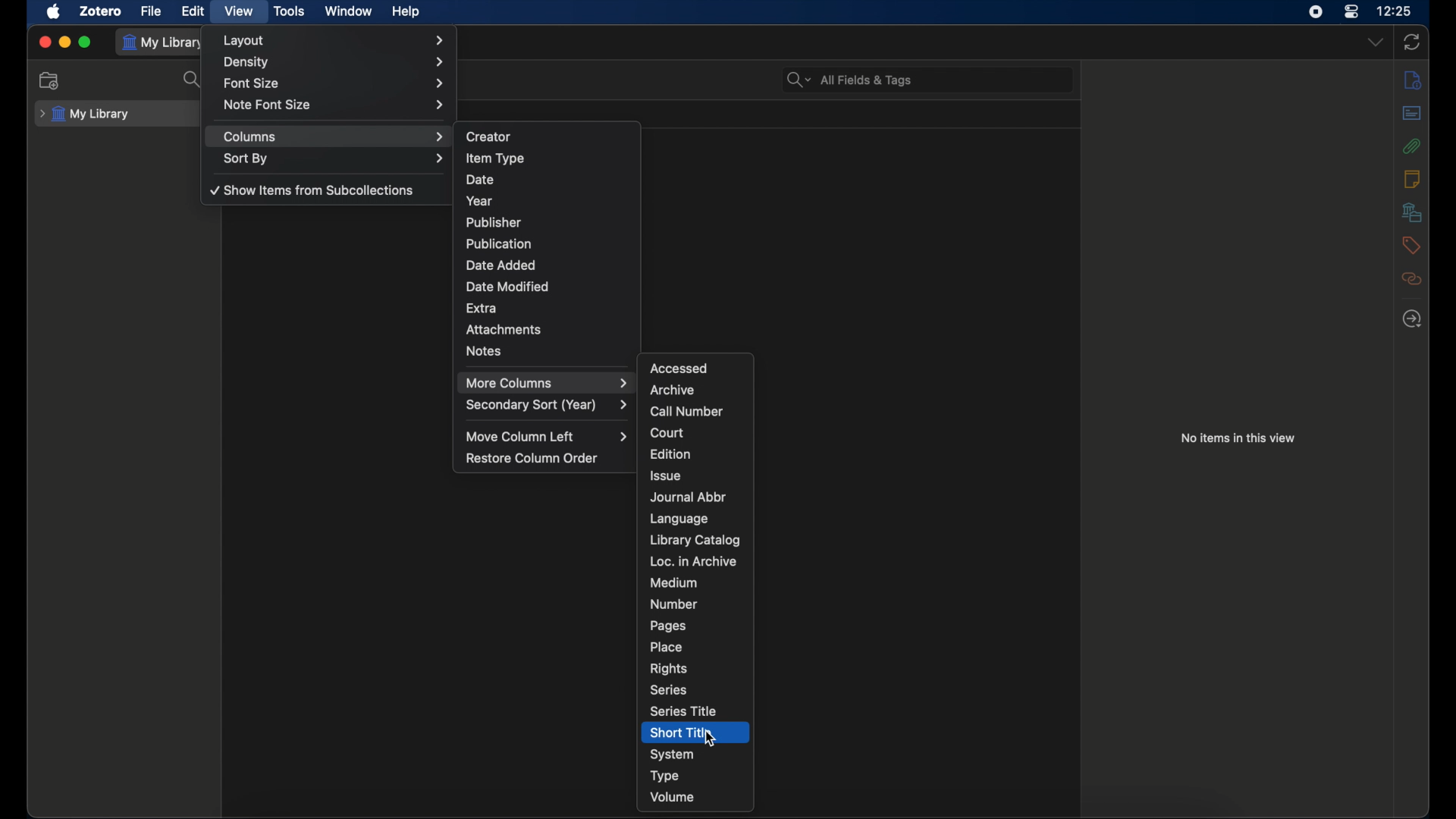 The width and height of the screenshot is (1456, 819). I want to click on libraries, so click(1412, 212).